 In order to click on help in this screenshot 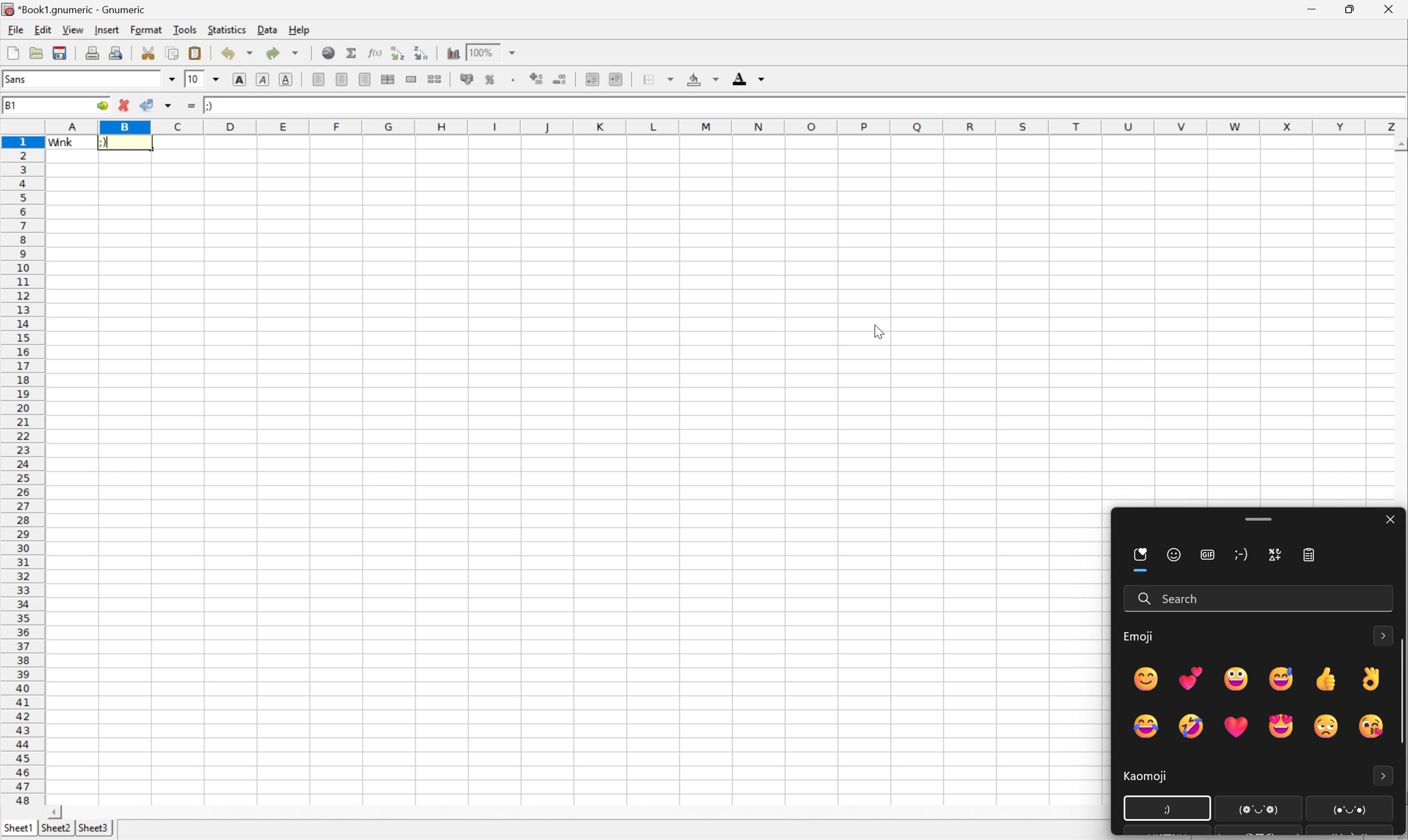, I will do `click(299, 31)`.